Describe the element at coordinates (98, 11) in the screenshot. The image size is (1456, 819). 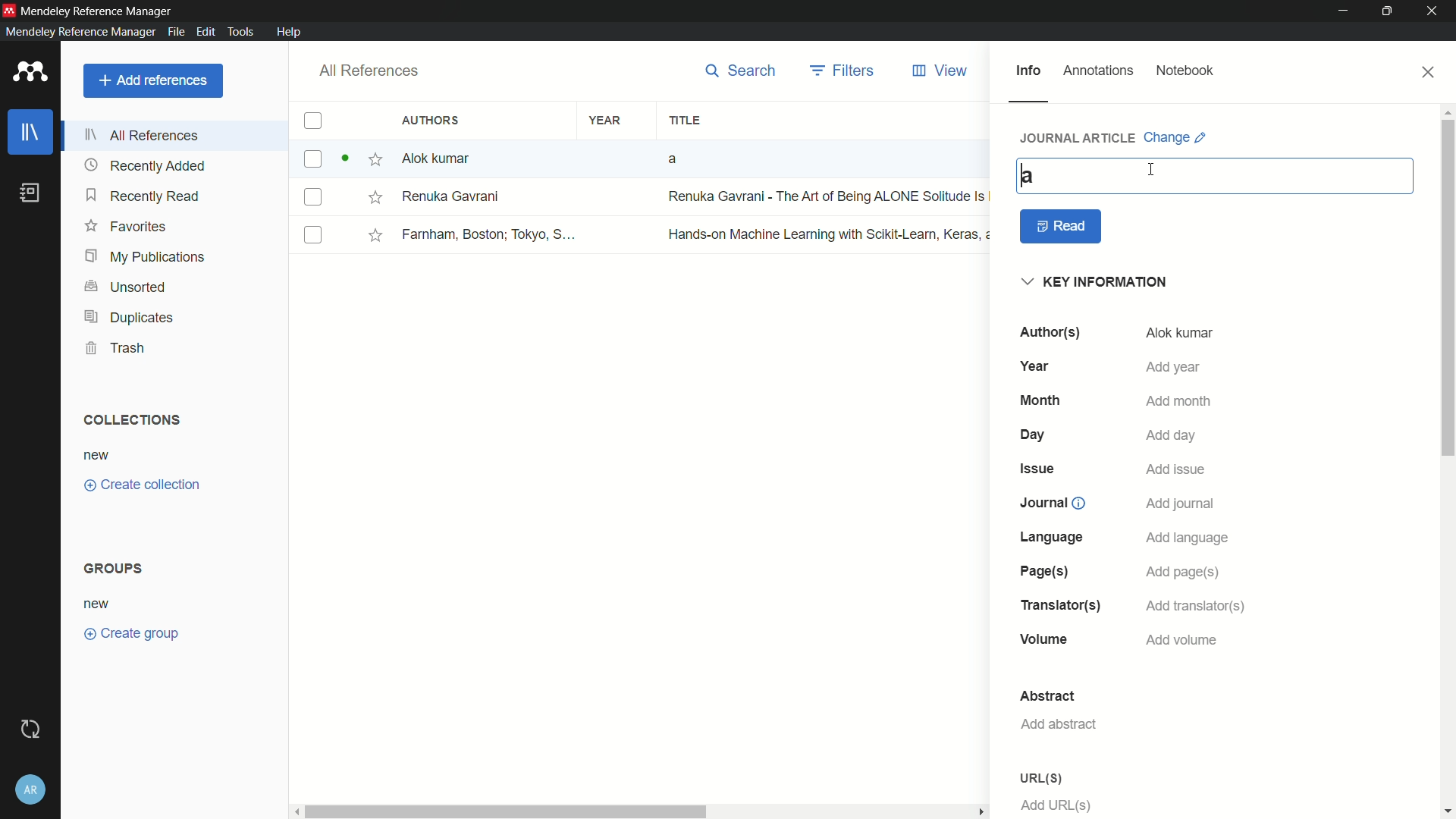
I see `app name` at that location.